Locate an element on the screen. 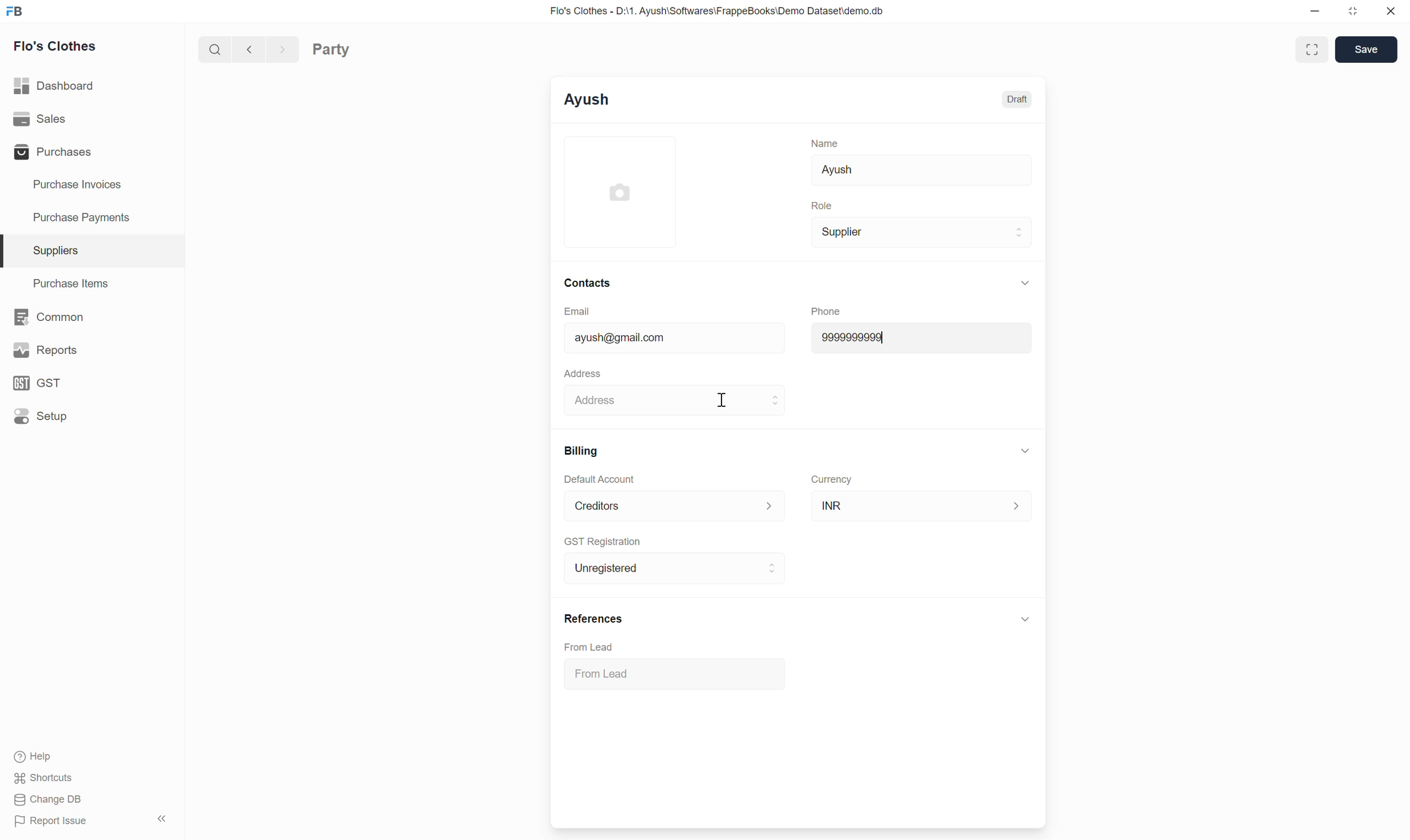 This screenshot has width=1410, height=840. Phone is located at coordinates (826, 311).